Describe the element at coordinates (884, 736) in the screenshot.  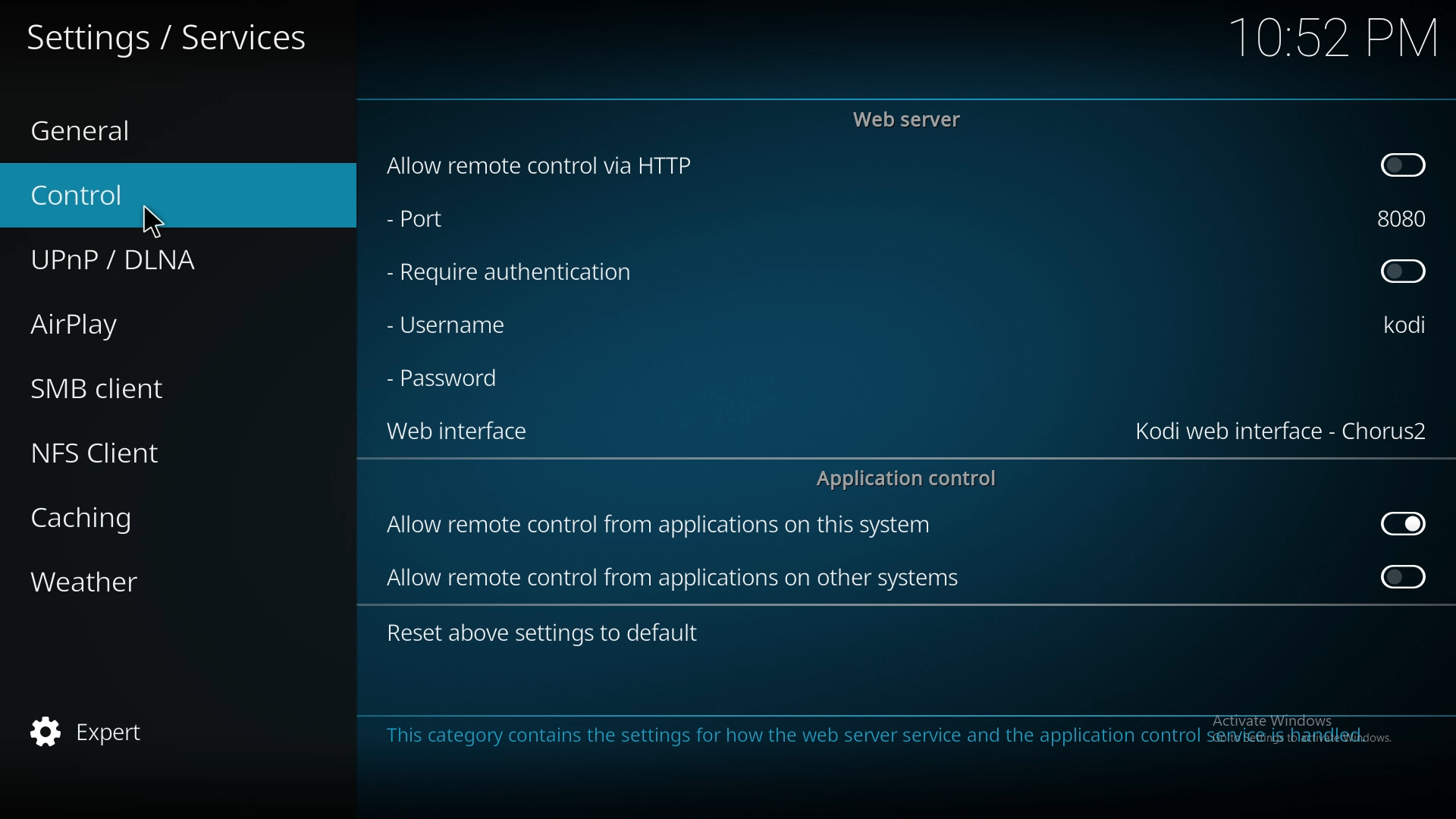
I see `info` at that location.